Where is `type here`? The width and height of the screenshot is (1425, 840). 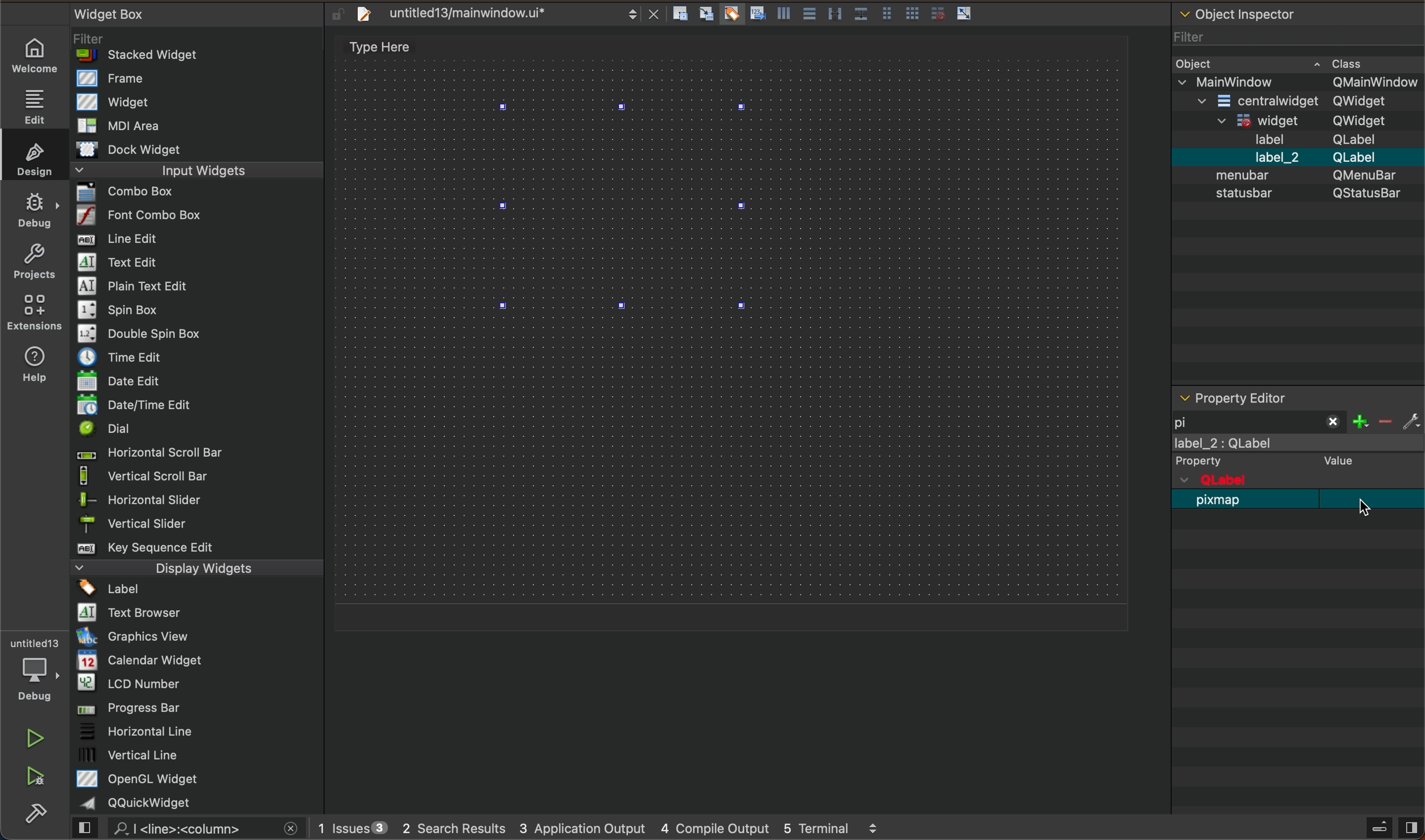 type here is located at coordinates (386, 48).